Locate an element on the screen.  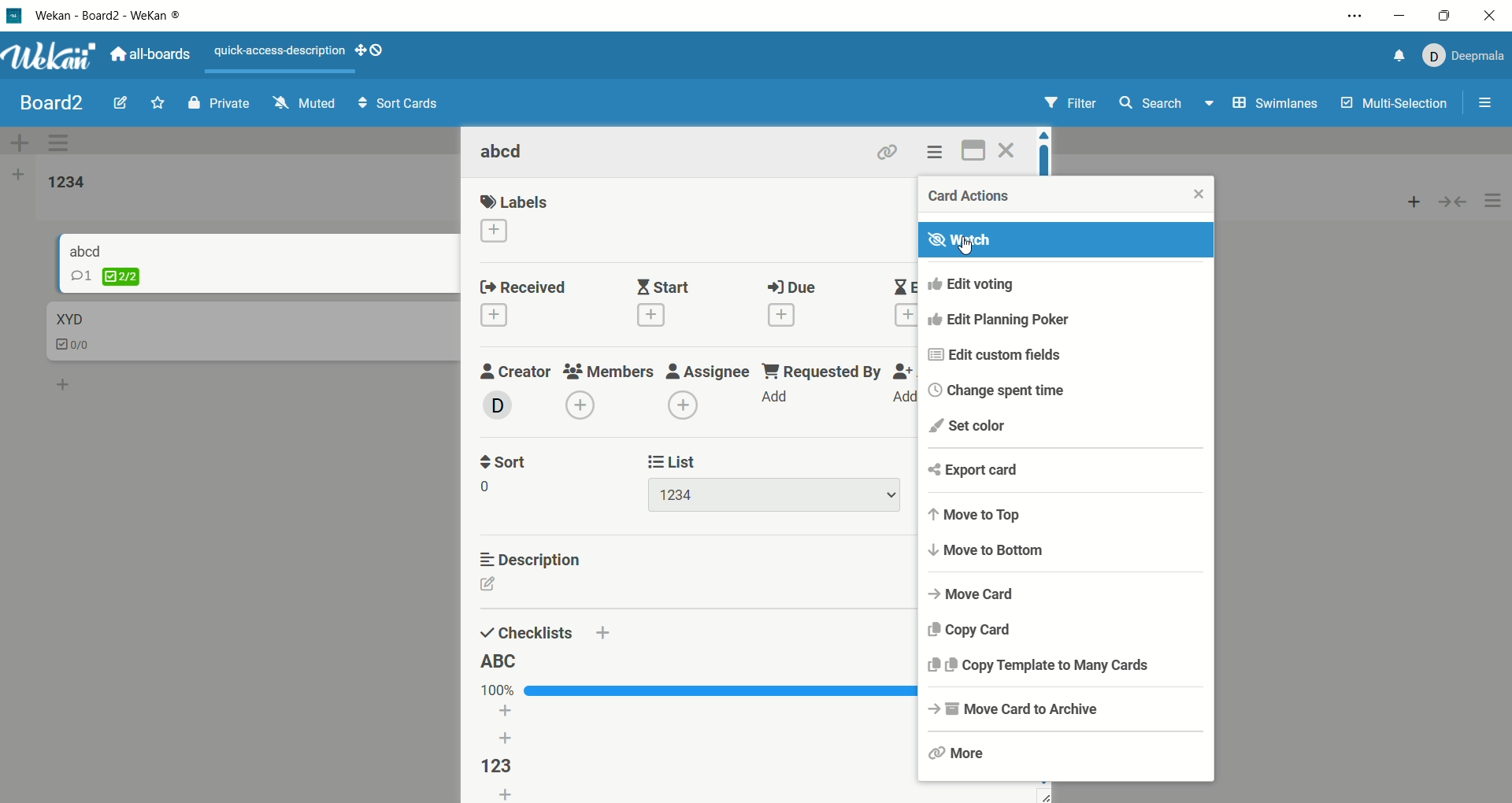
comment is located at coordinates (80, 278).